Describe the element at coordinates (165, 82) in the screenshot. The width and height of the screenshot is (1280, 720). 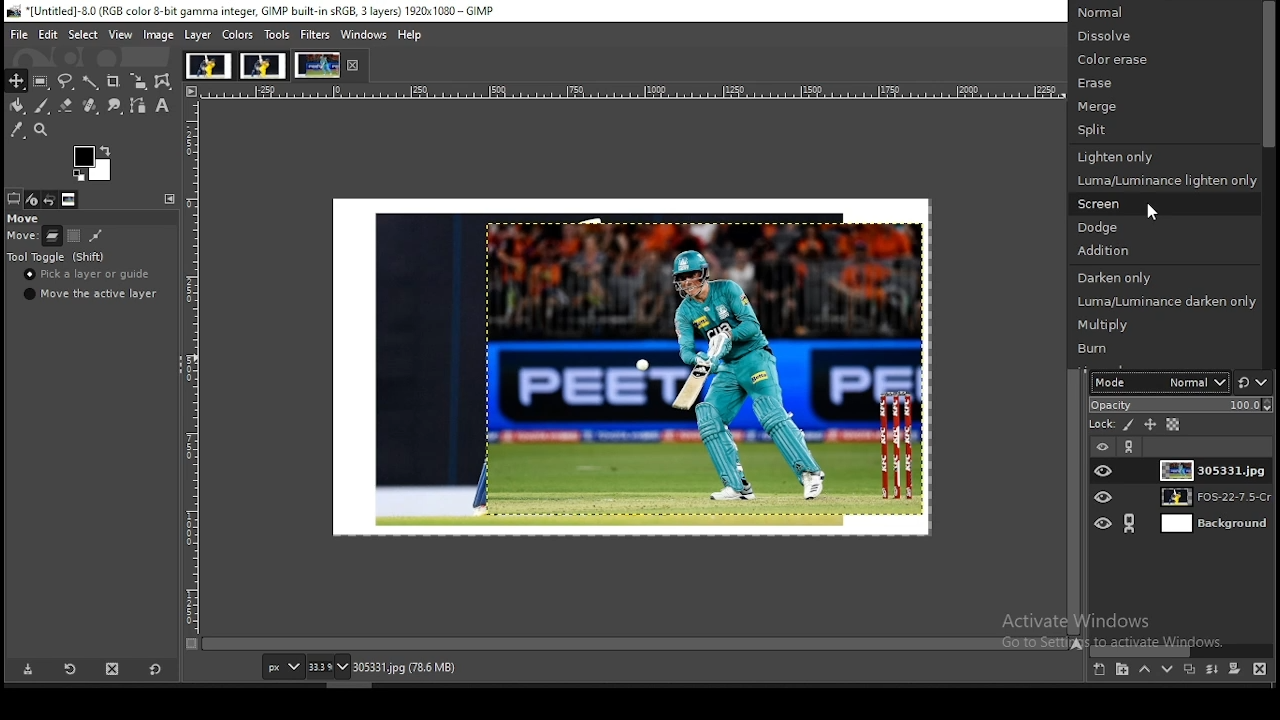
I see `cage transform tool` at that location.